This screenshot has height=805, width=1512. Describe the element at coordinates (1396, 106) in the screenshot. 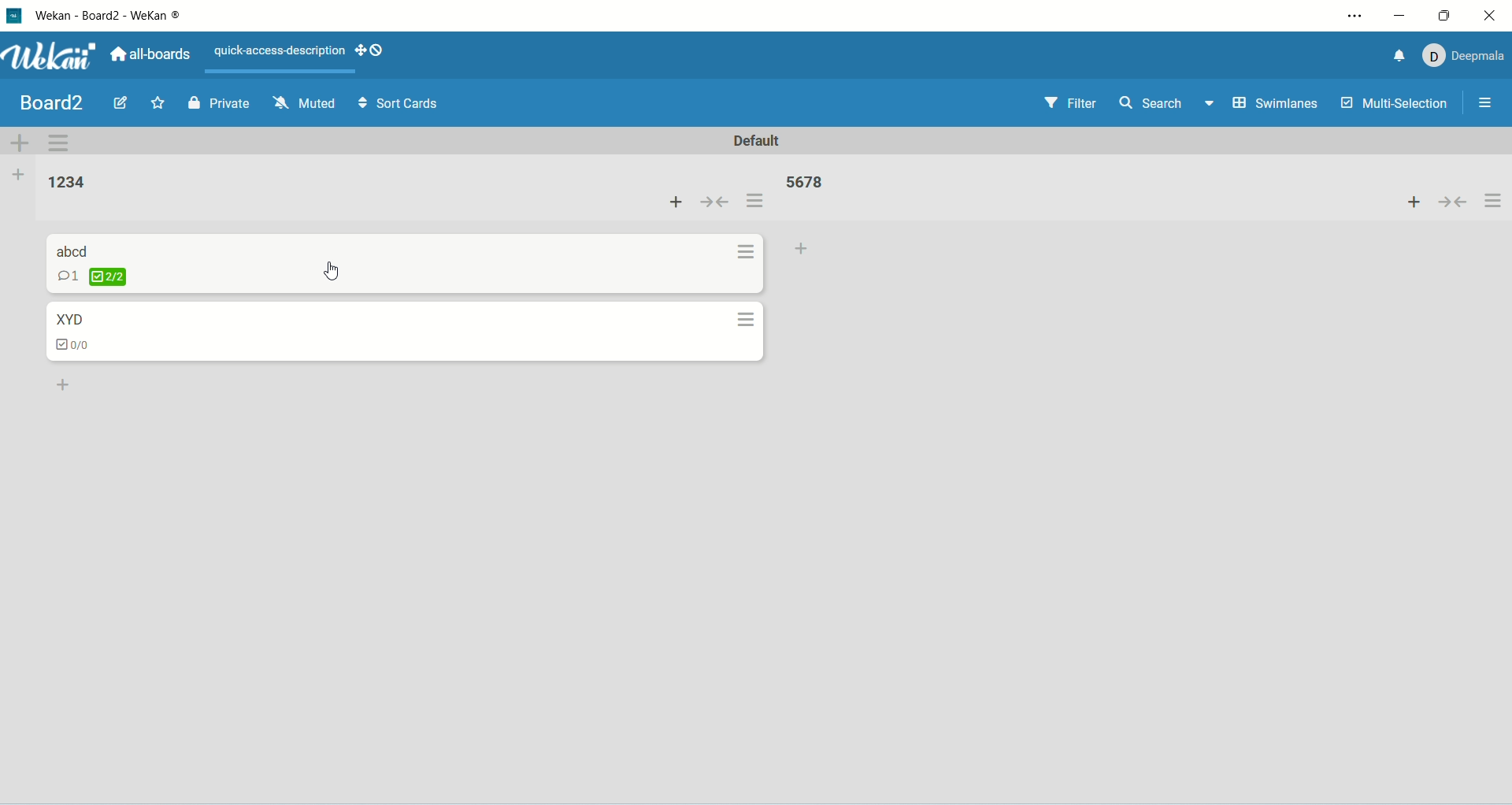

I see `multi-selection` at that location.